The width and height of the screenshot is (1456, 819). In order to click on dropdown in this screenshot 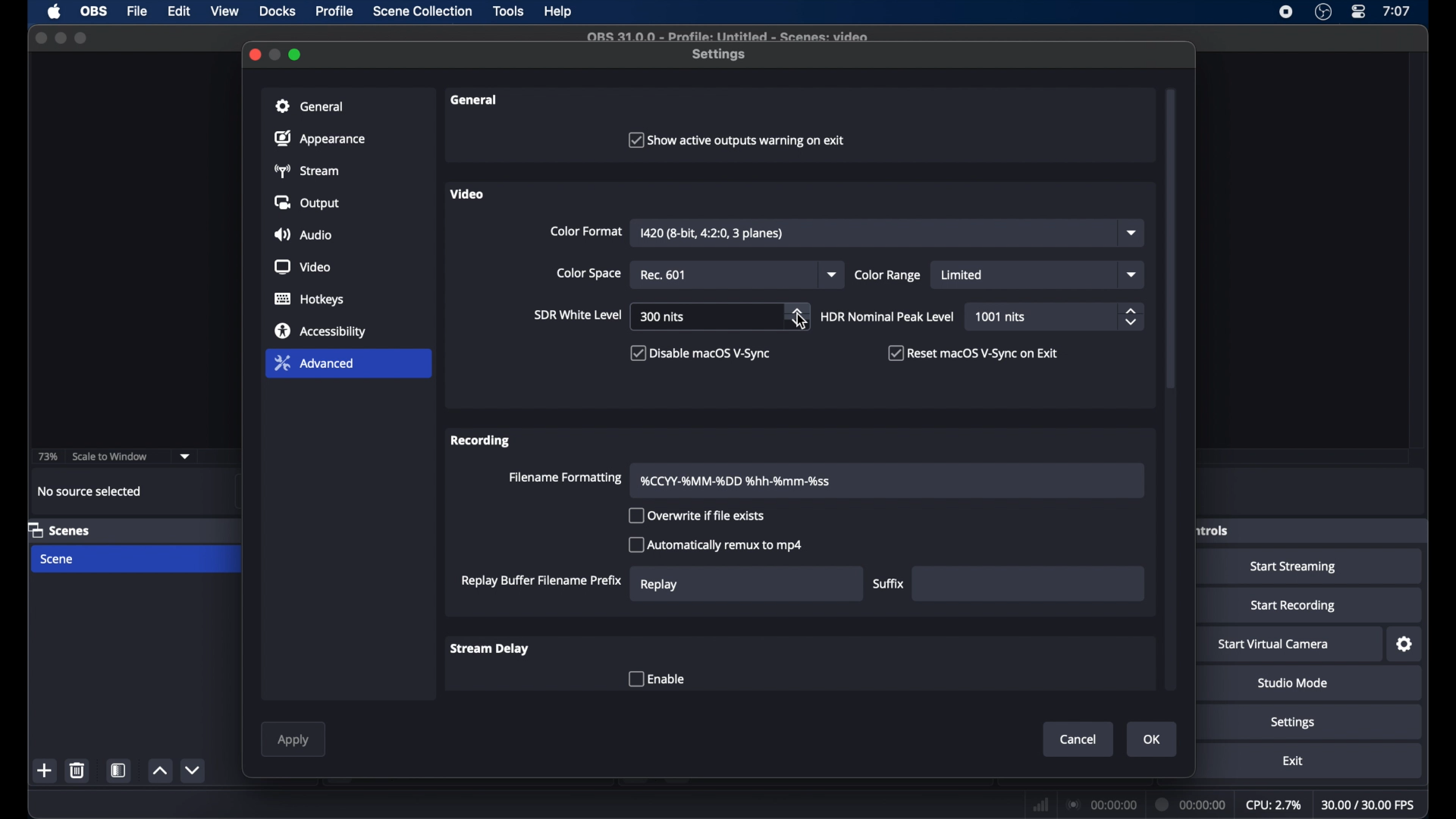, I will do `click(1133, 232)`.